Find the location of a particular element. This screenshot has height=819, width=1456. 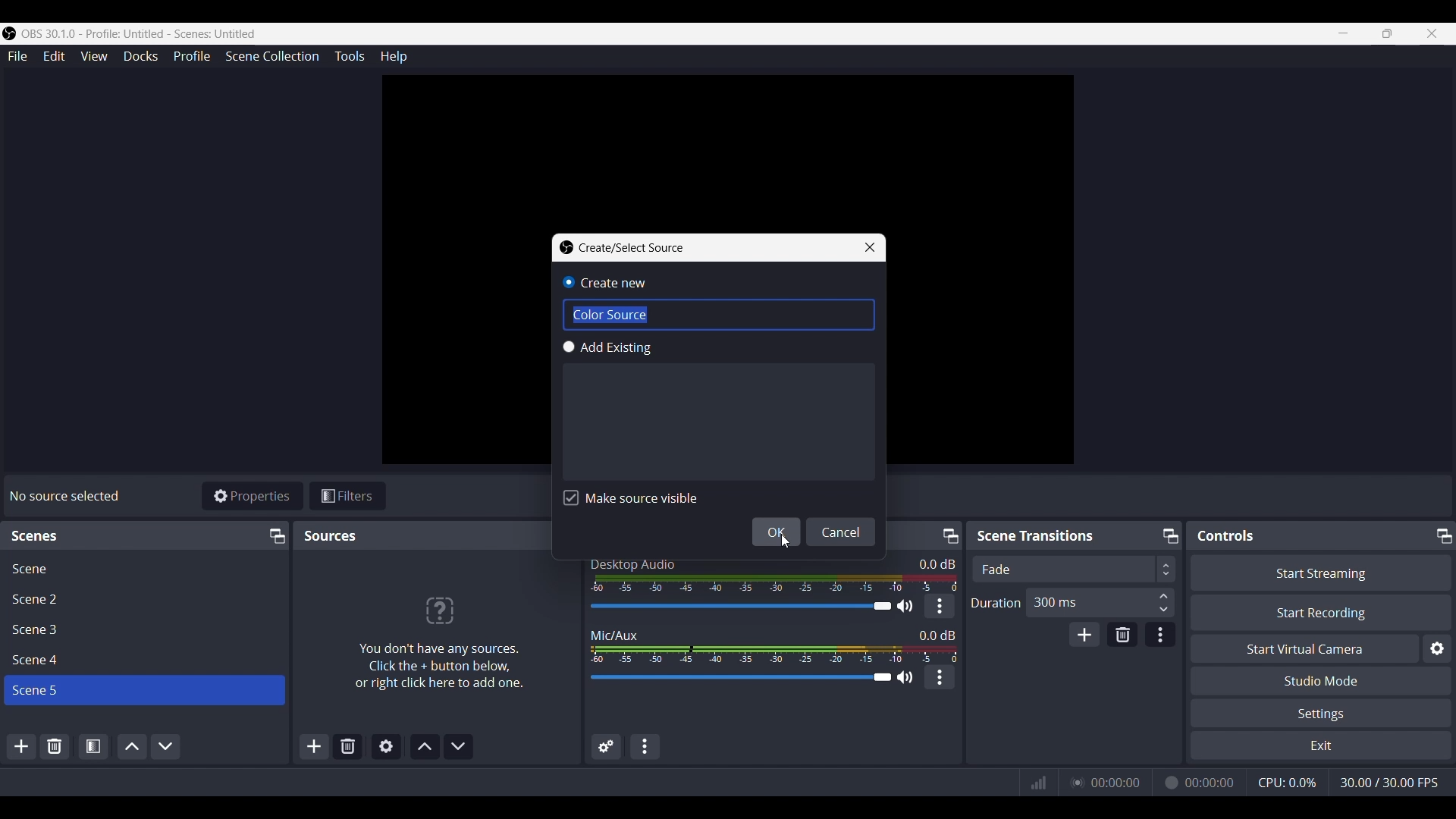

Exit is located at coordinates (1320, 746).